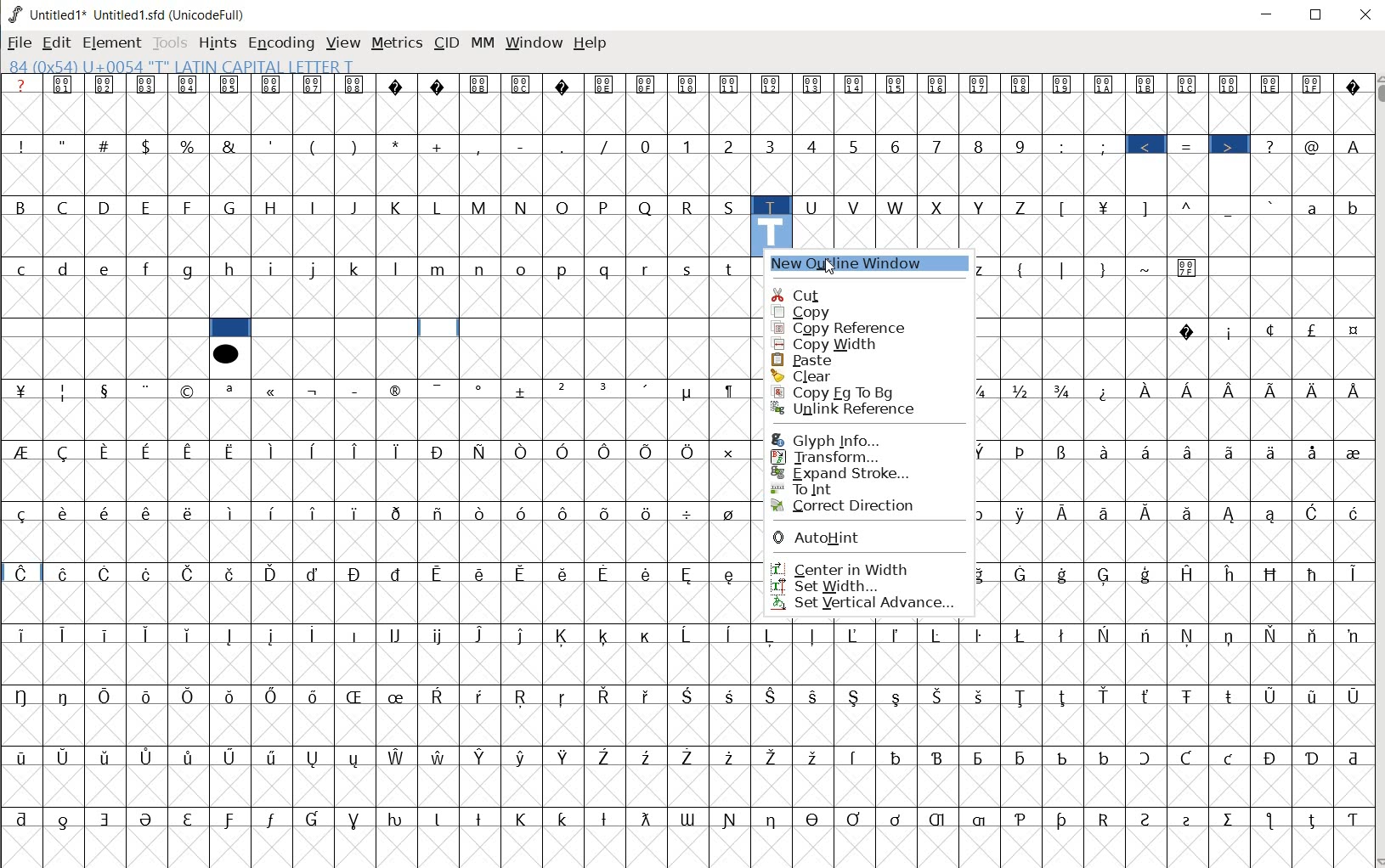  What do you see at coordinates (1150, 206) in the screenshot?
I see `]` at bounding box center [1150, 206].